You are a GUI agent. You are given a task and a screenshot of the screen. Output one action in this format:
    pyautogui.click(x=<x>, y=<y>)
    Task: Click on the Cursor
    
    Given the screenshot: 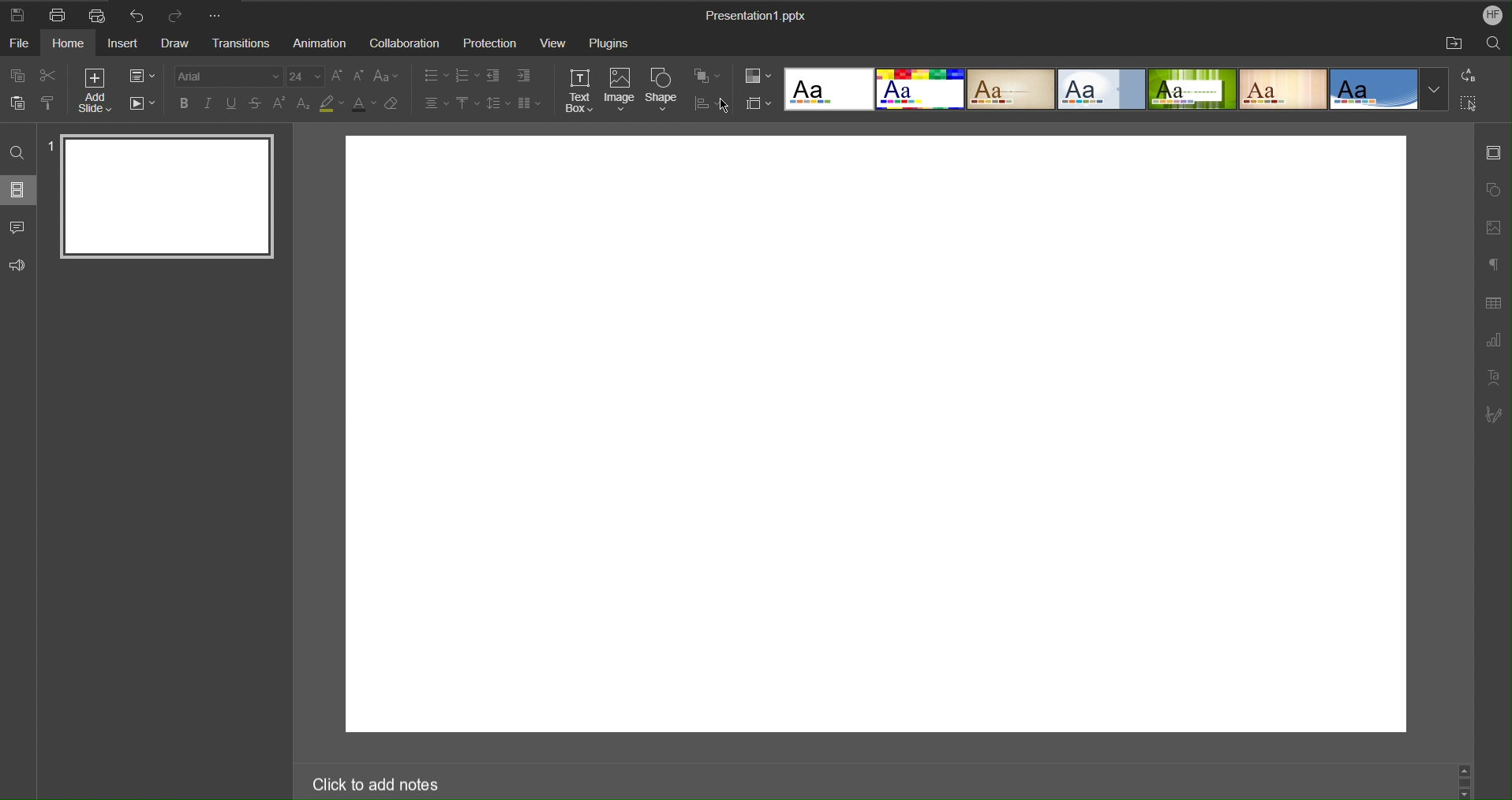 What is the action you would take?
    pyautogui.click(x=727, y=104)
    